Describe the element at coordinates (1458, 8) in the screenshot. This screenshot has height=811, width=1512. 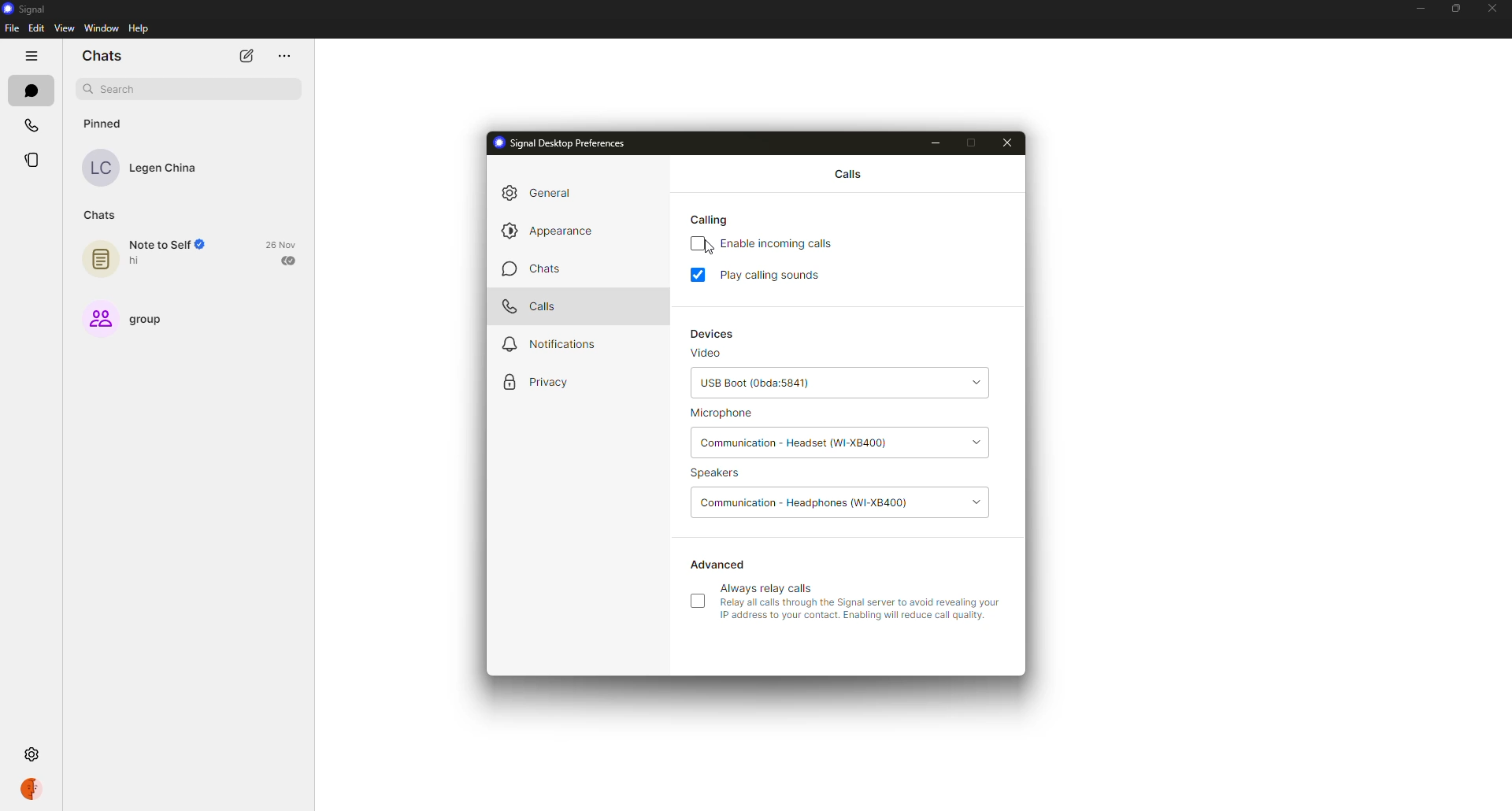
I see `maximize` at that location.